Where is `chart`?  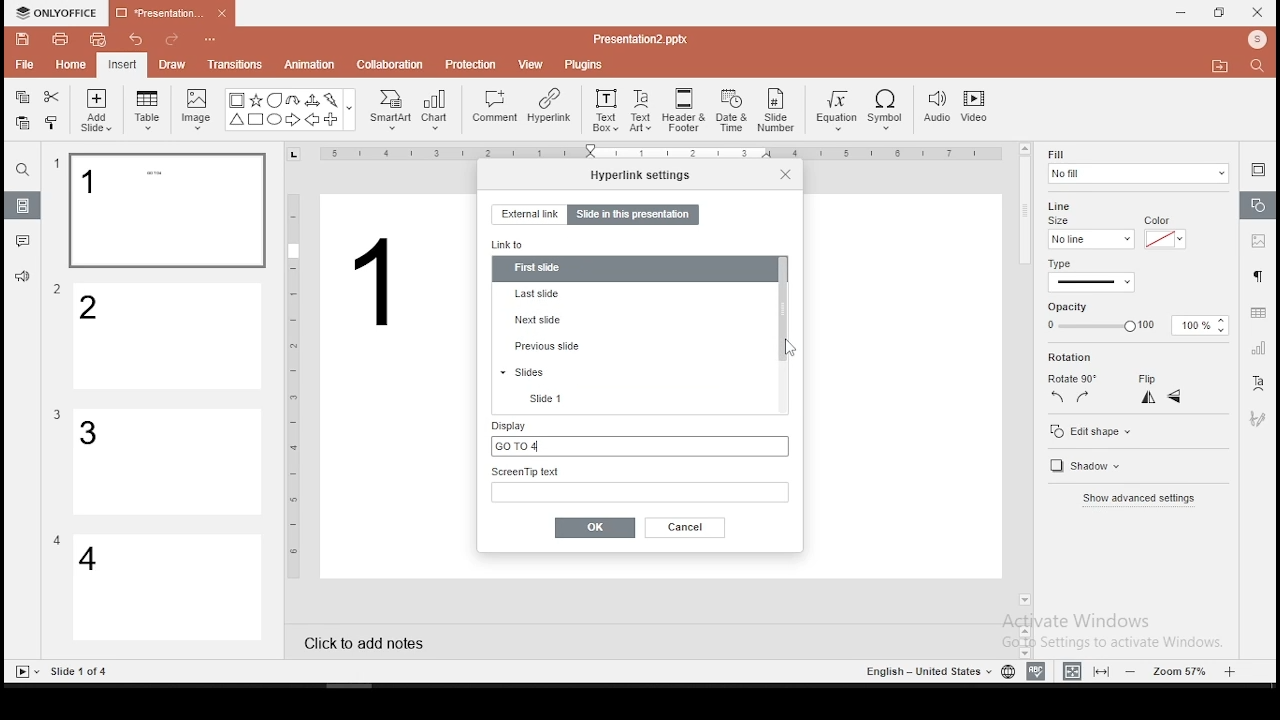
chart is located at coordinates (436, 109).